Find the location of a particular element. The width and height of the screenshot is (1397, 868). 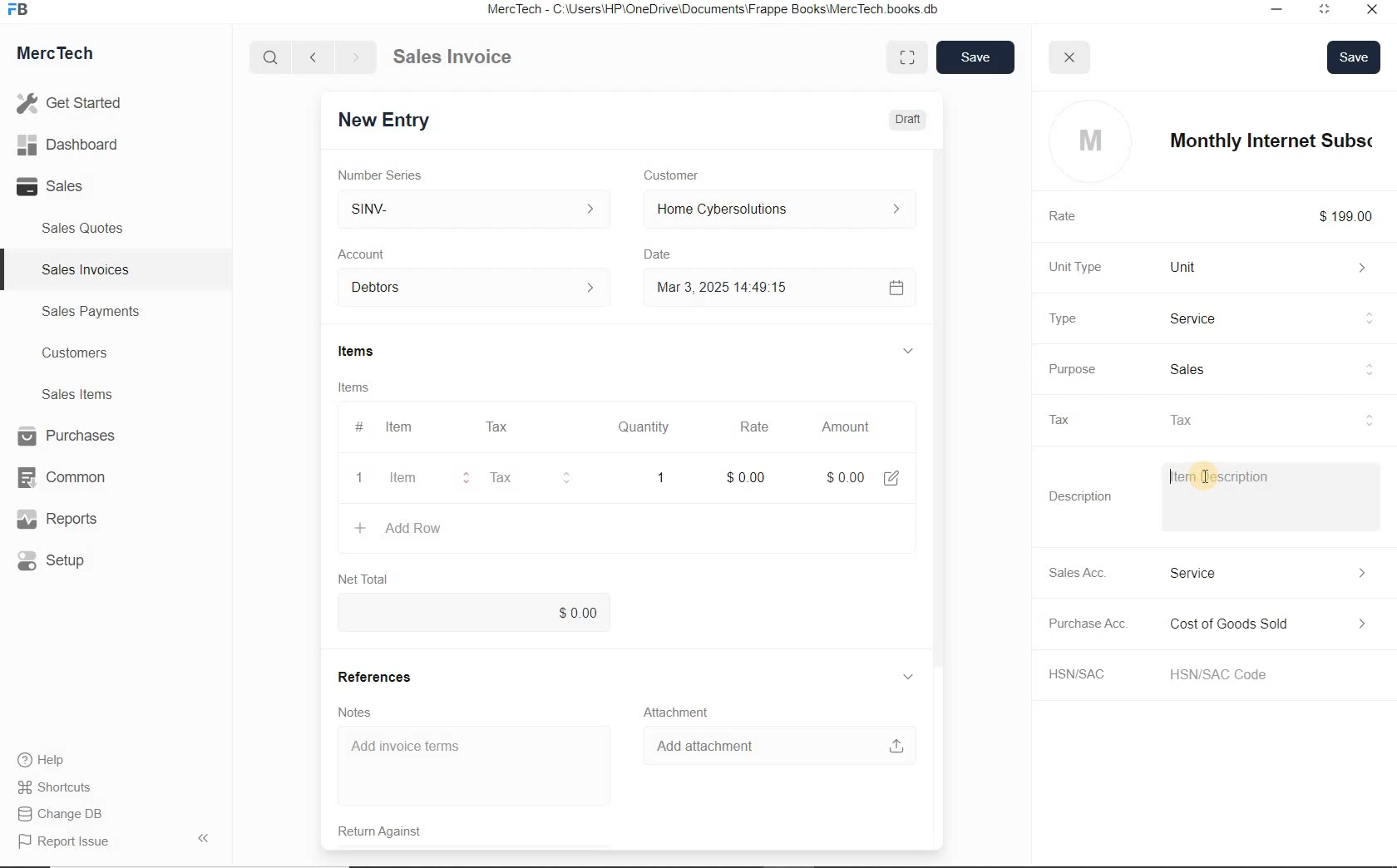

$0.00 is located at coordinates (475, 613).